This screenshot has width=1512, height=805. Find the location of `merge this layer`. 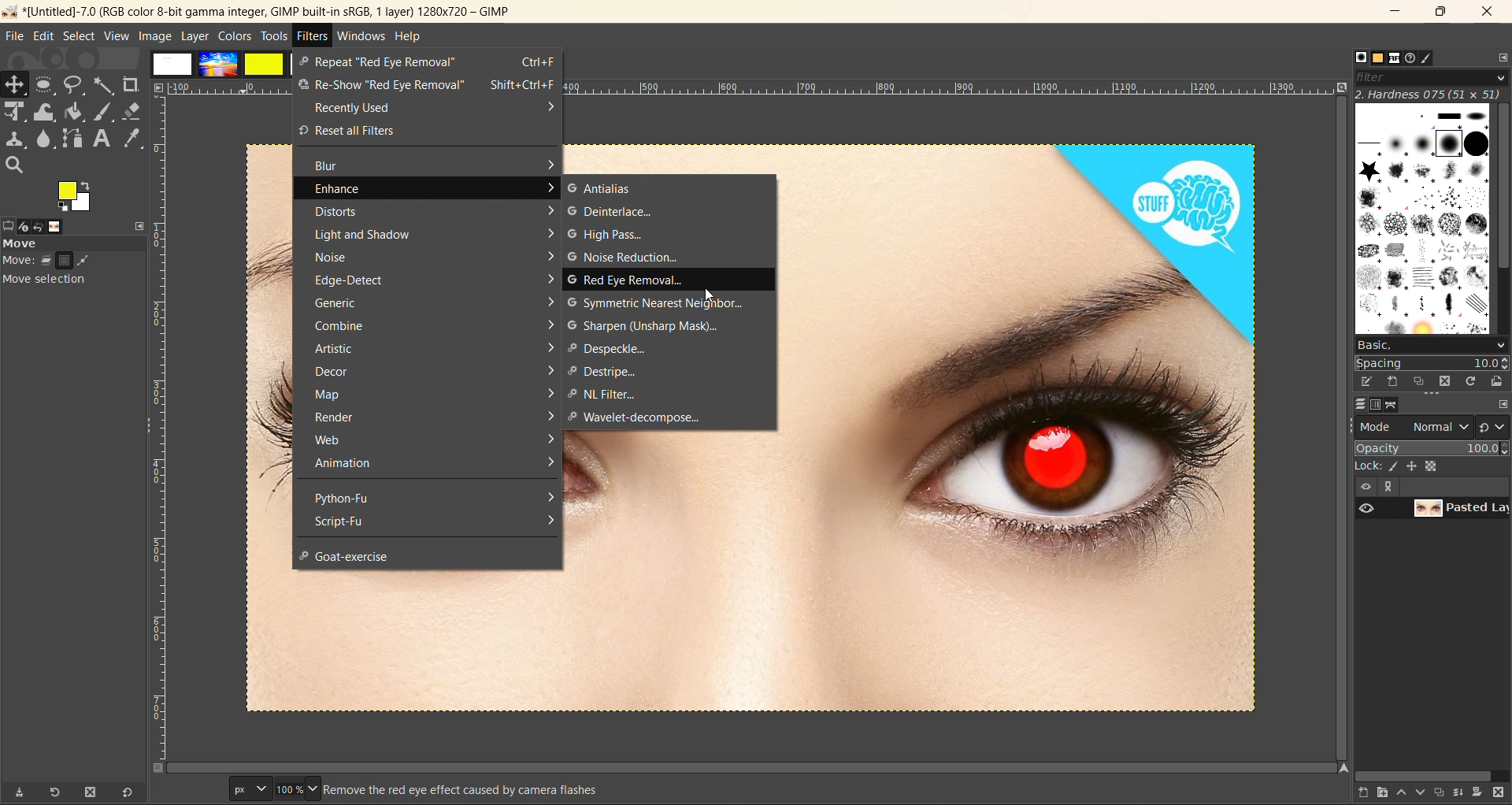

merge this layer is located at coordinates (1461, 793).